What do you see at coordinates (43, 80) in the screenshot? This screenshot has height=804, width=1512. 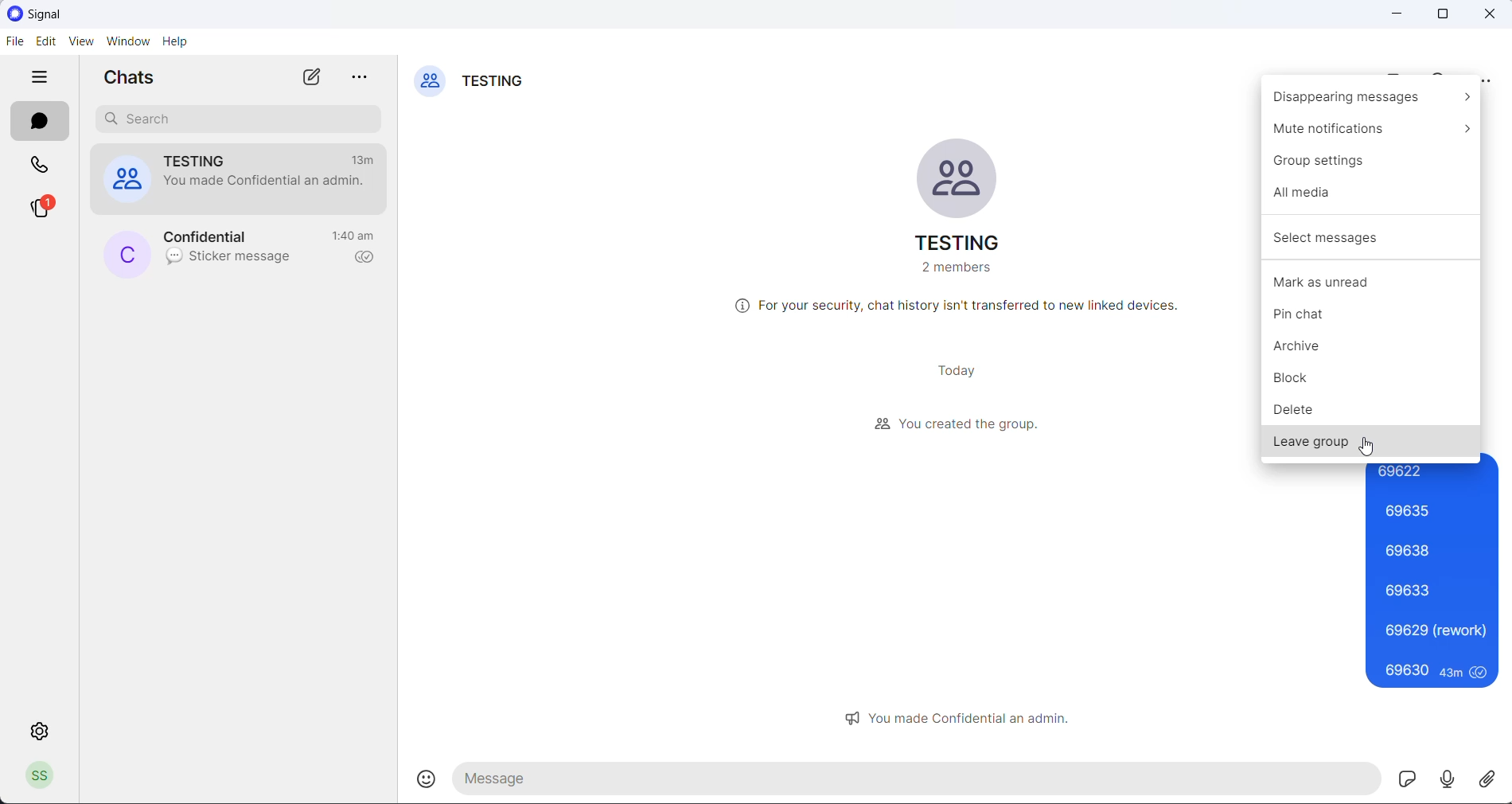 I see `hide tabs` at bounding box center [43, 80].